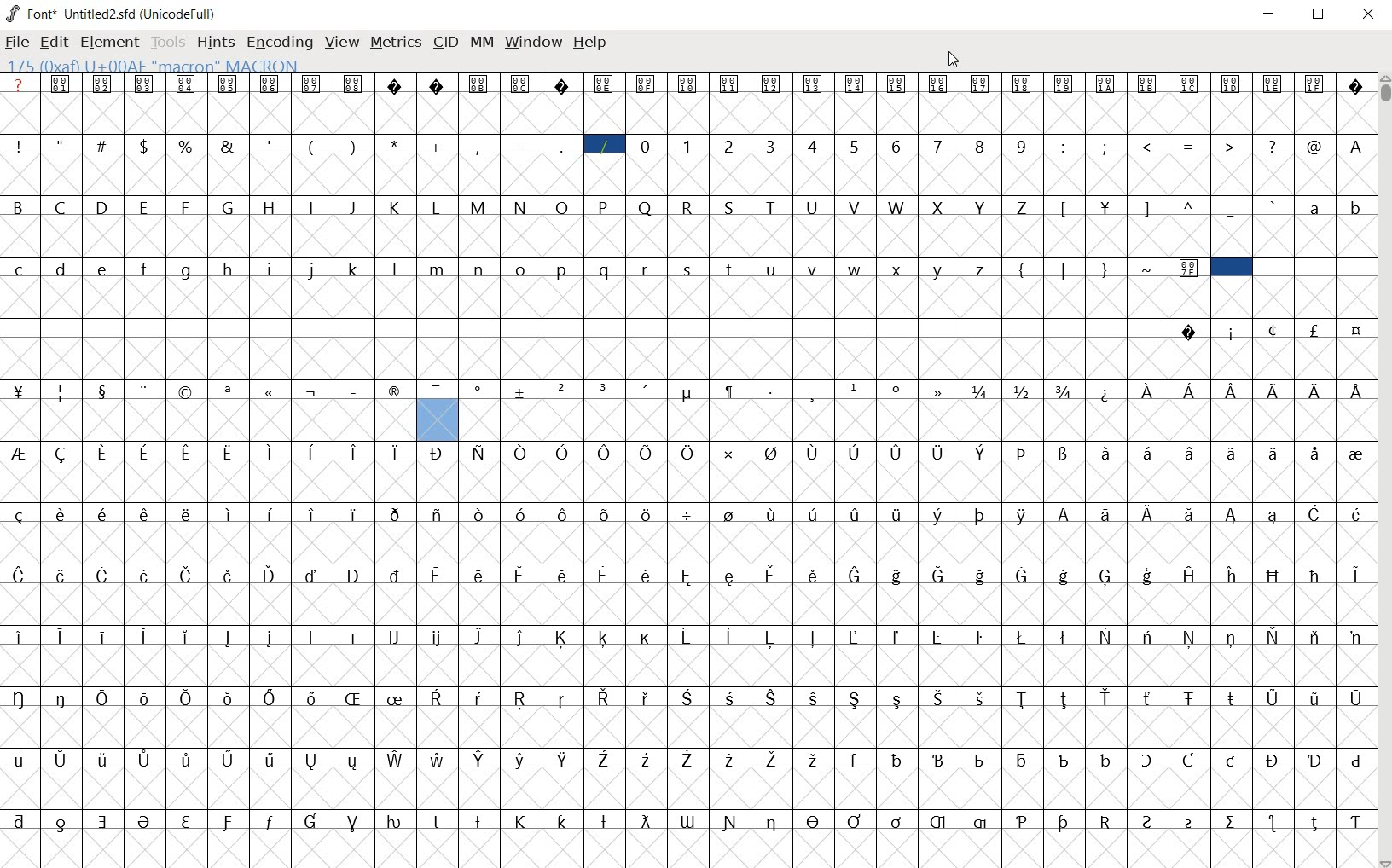  I want to click on Symbol, so click(272, 759).